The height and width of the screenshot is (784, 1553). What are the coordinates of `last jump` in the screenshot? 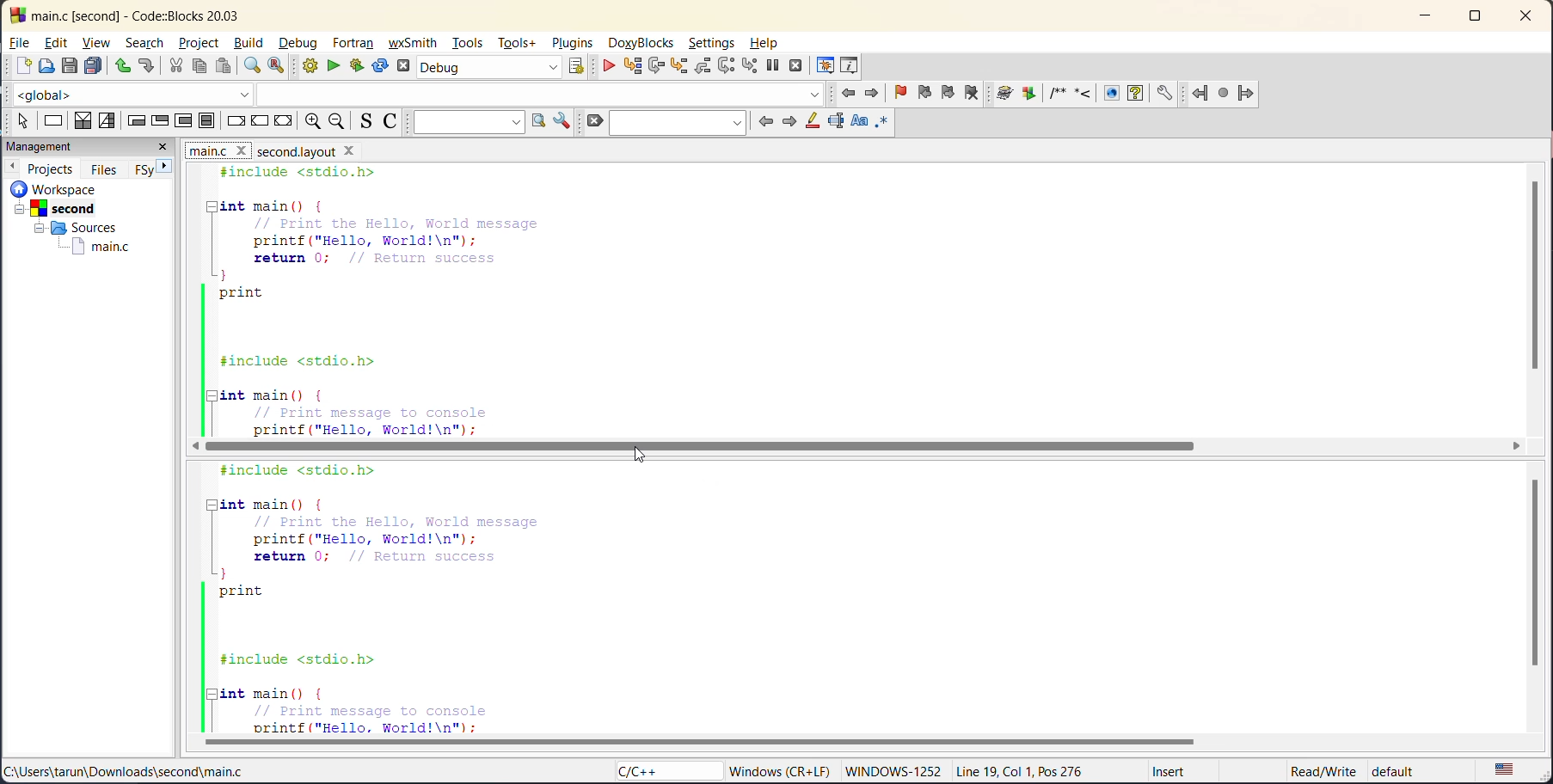 It's located at (1225, 89).